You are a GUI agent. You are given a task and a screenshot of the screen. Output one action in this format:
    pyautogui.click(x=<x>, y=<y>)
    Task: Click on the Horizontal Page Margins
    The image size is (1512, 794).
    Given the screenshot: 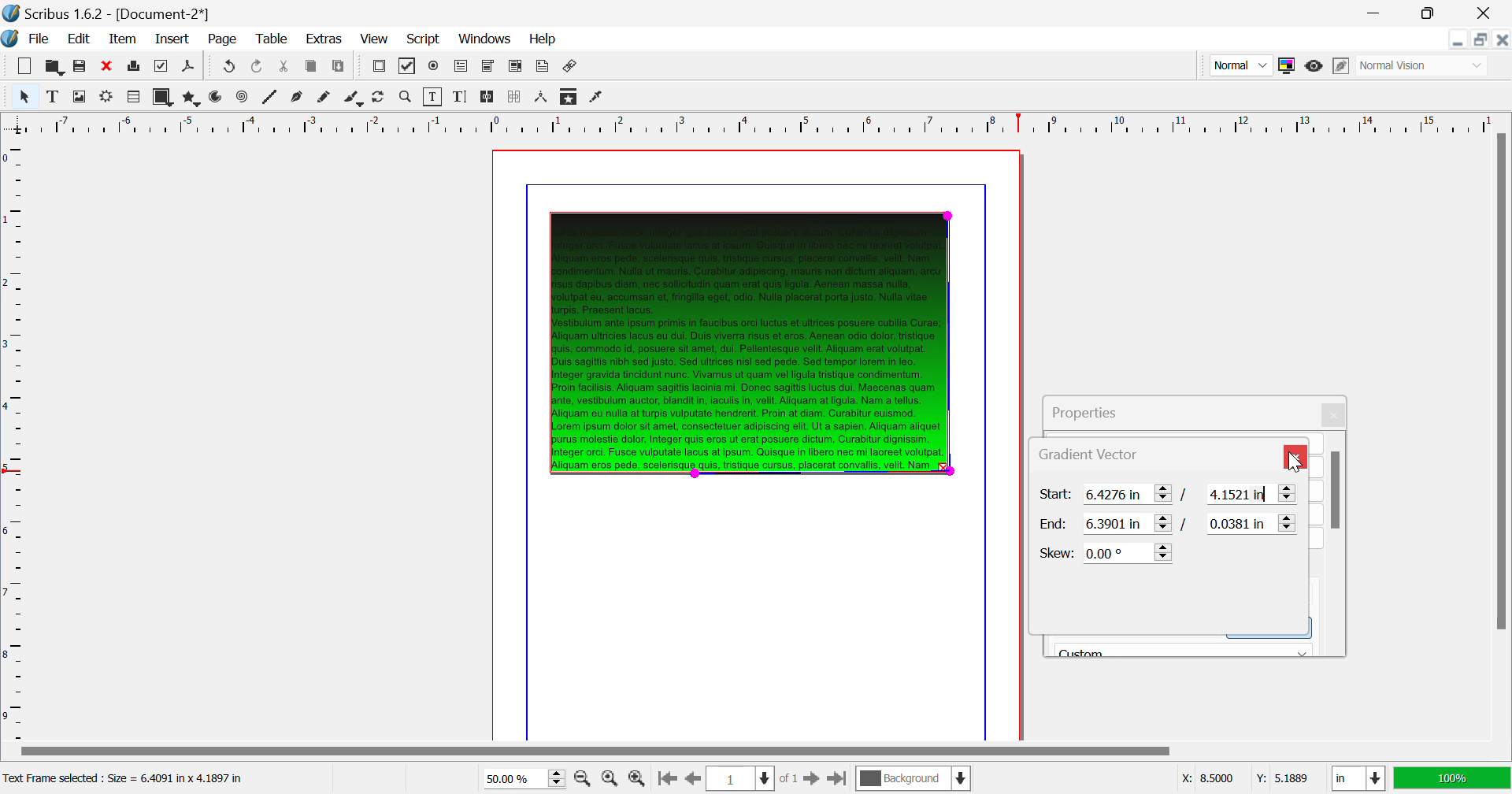 What is the action you would take?
    pyautogui.click(x=15, y=439)
    